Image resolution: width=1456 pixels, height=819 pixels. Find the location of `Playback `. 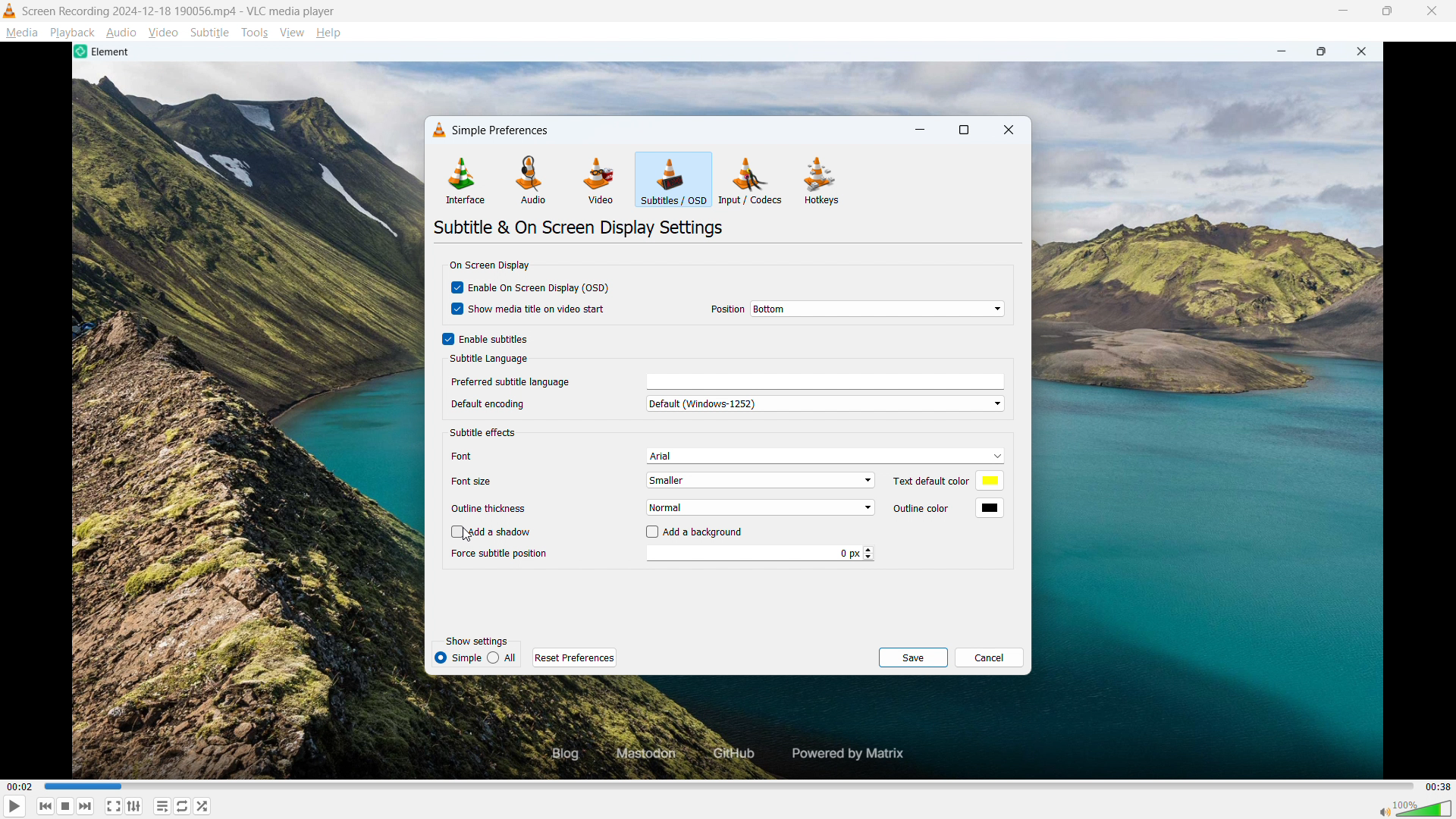

Playback  is located at coordinates (73, 33).